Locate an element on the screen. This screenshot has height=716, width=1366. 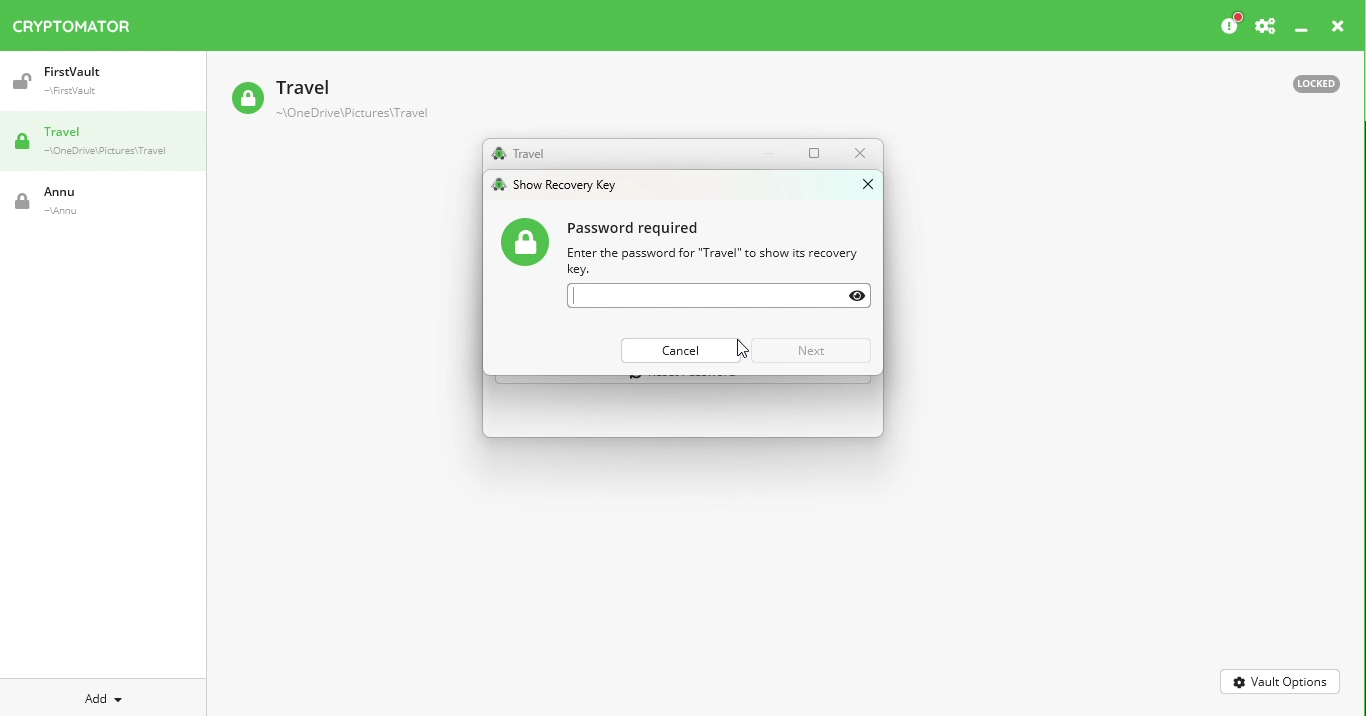
Enter password is located at coordinates (720, 296).